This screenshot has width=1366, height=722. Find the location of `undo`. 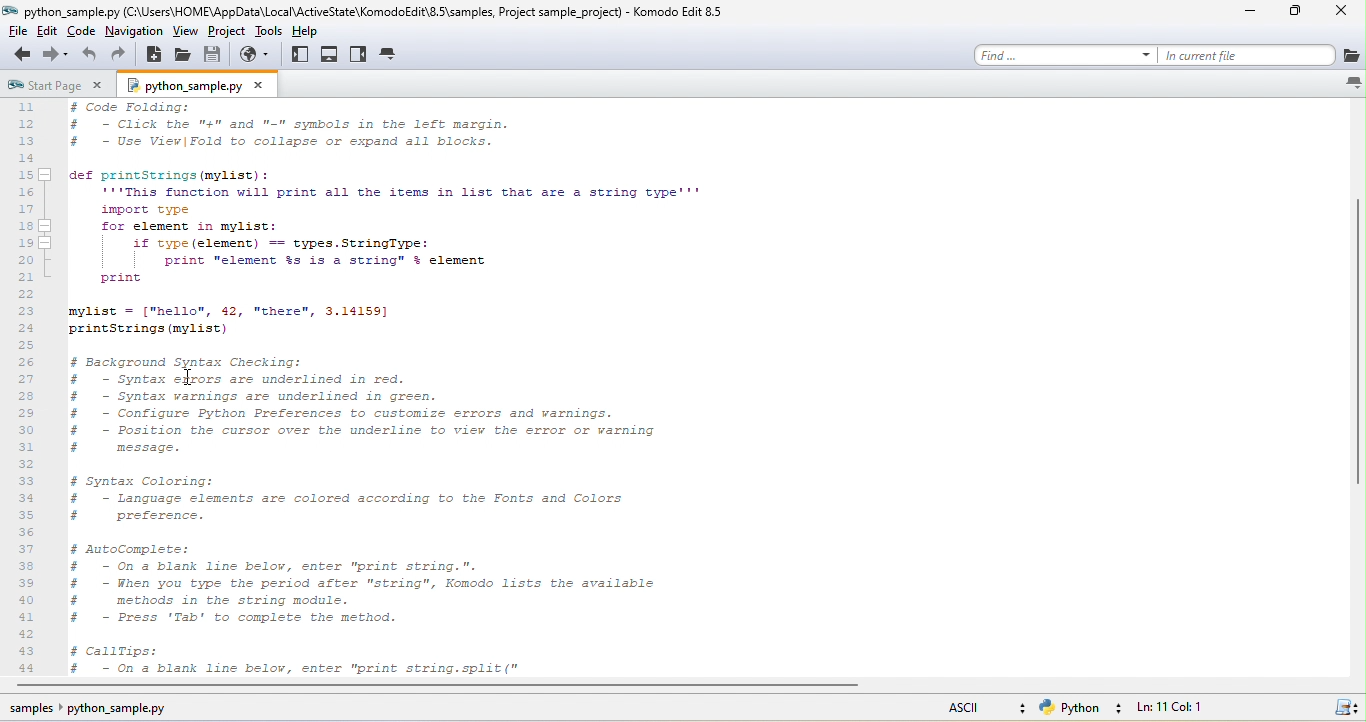

undo is located at coordinates (92, 57).